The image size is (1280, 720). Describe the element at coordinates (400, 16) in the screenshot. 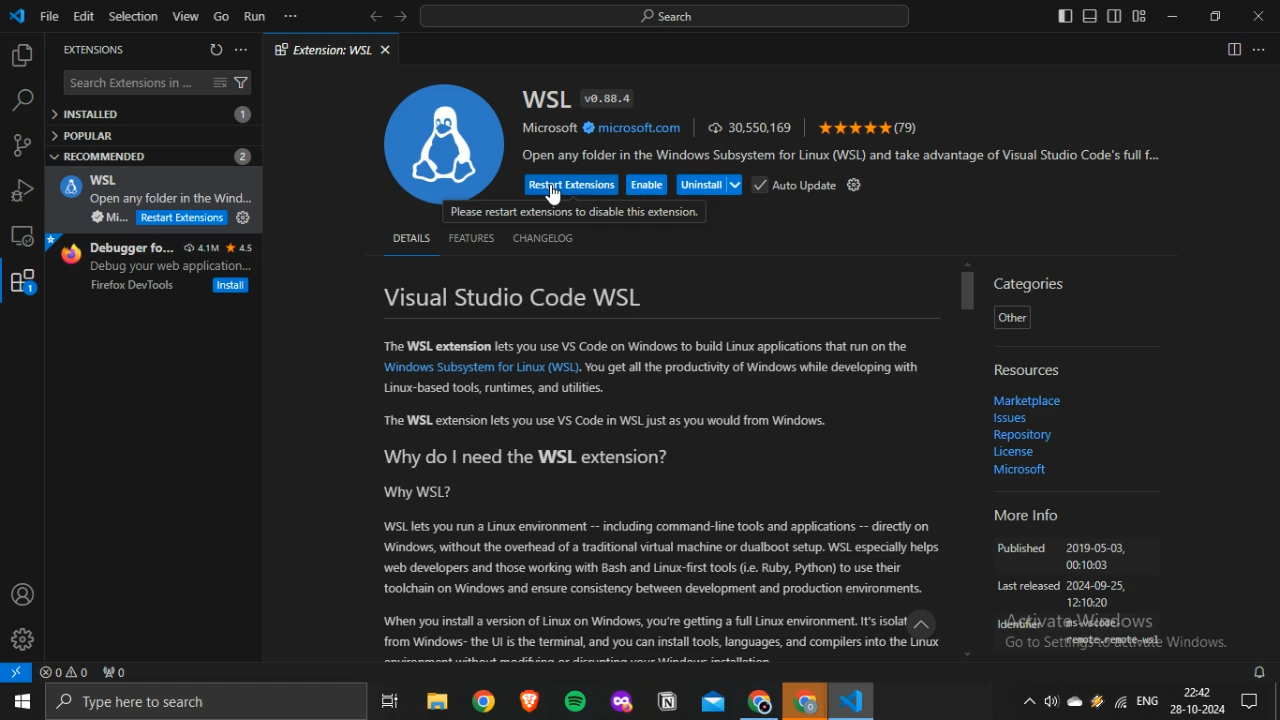

I see `forward` at that location.